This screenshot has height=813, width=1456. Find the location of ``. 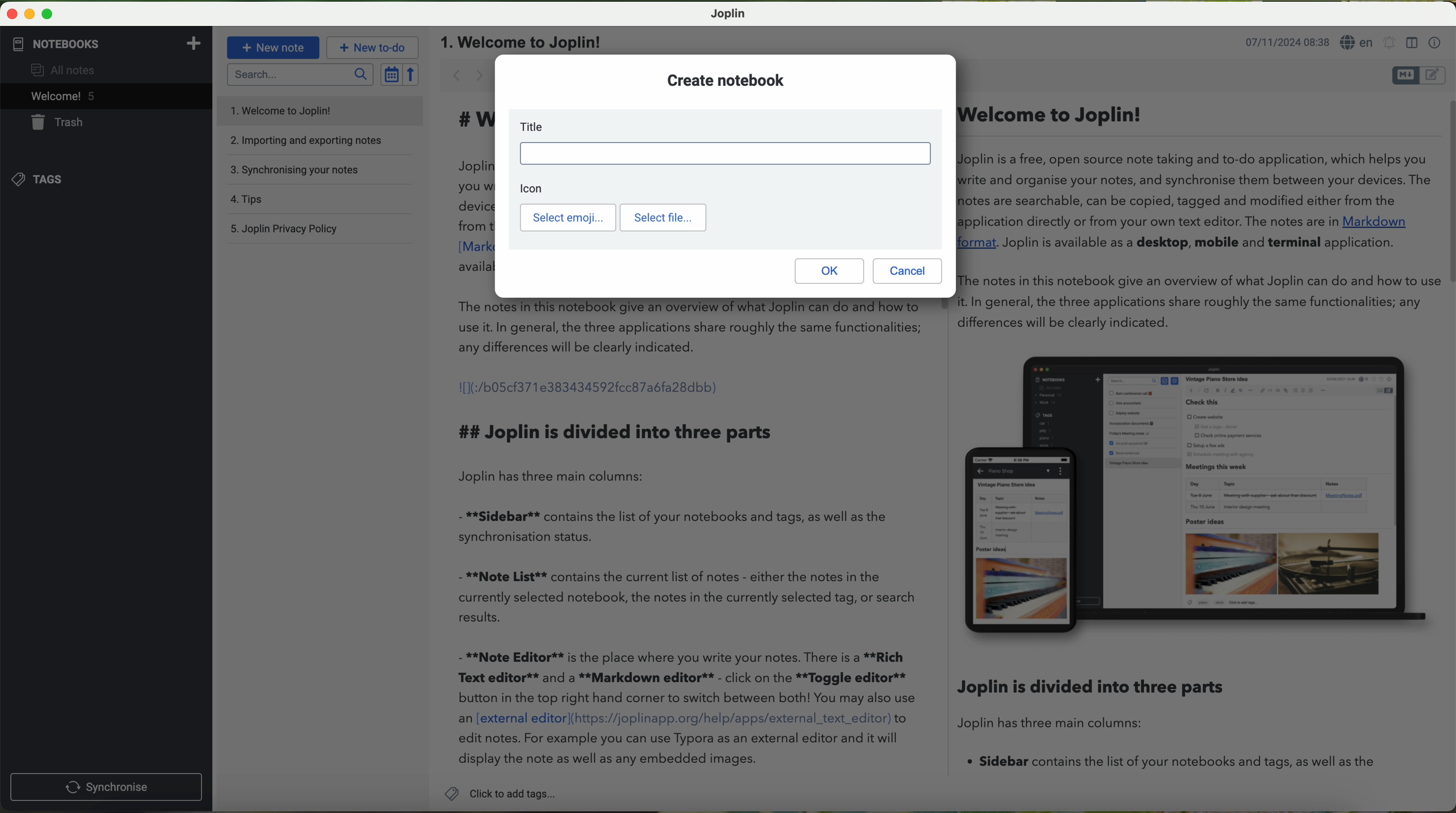

 is located at coordinates (391, 75).